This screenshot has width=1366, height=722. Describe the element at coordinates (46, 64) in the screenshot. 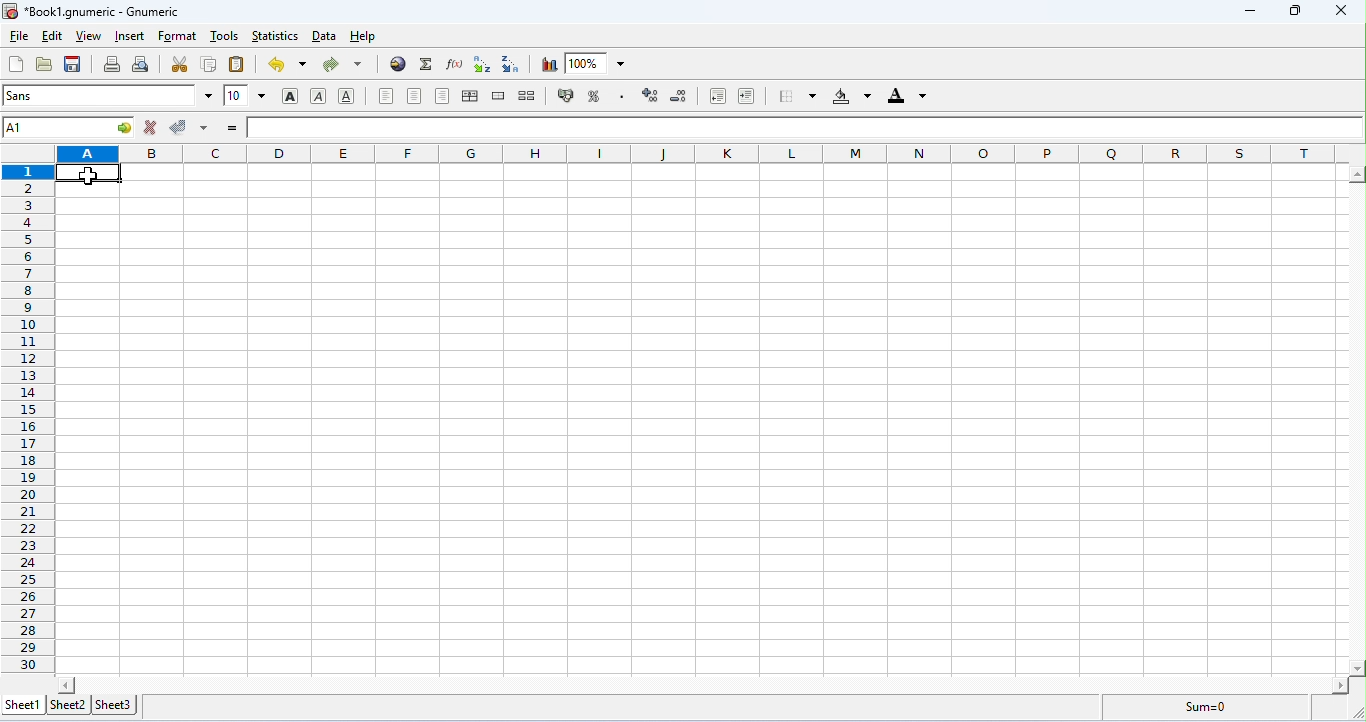

I see `open` at that location.